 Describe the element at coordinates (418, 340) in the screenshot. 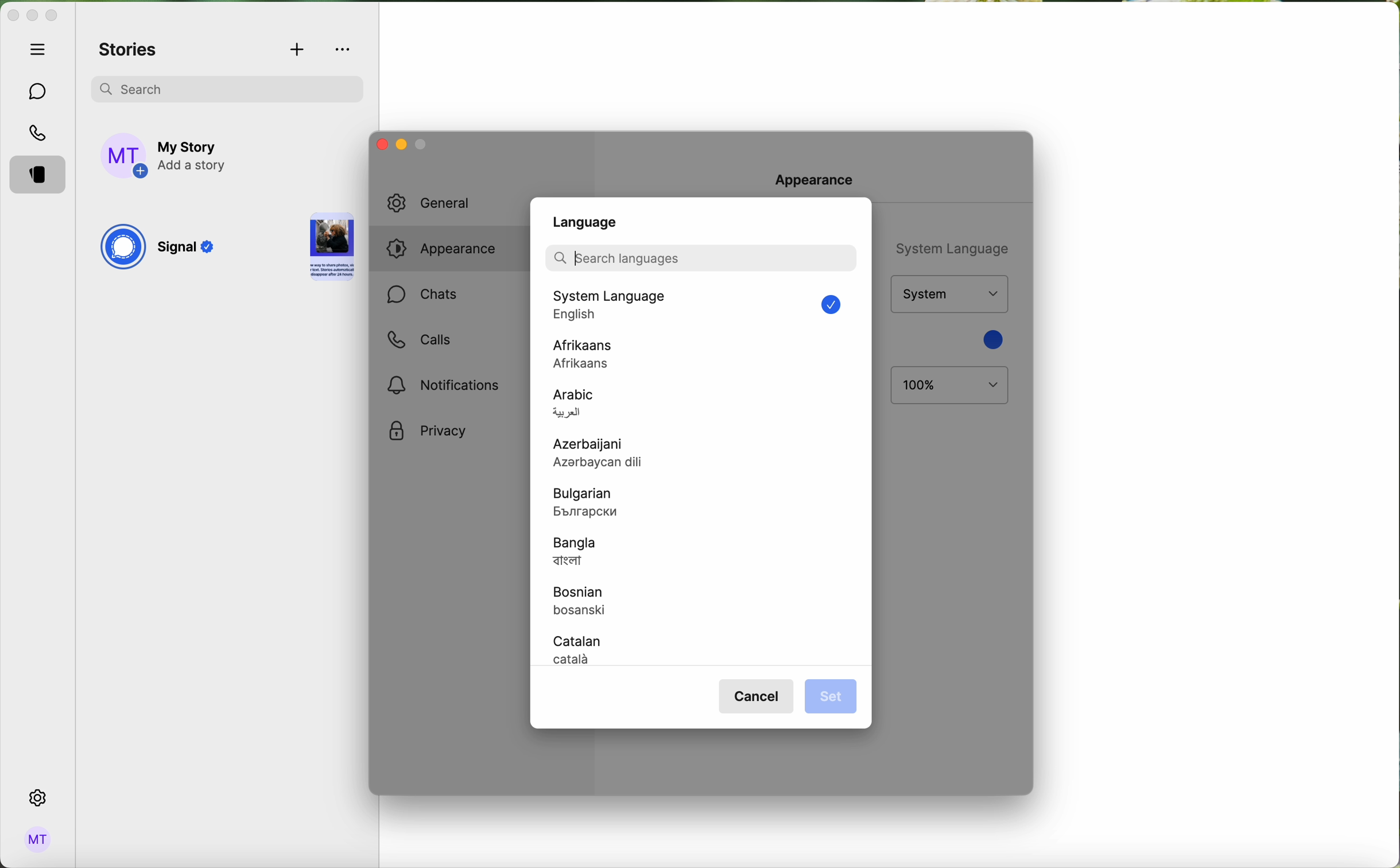

I see `calls` at that location.